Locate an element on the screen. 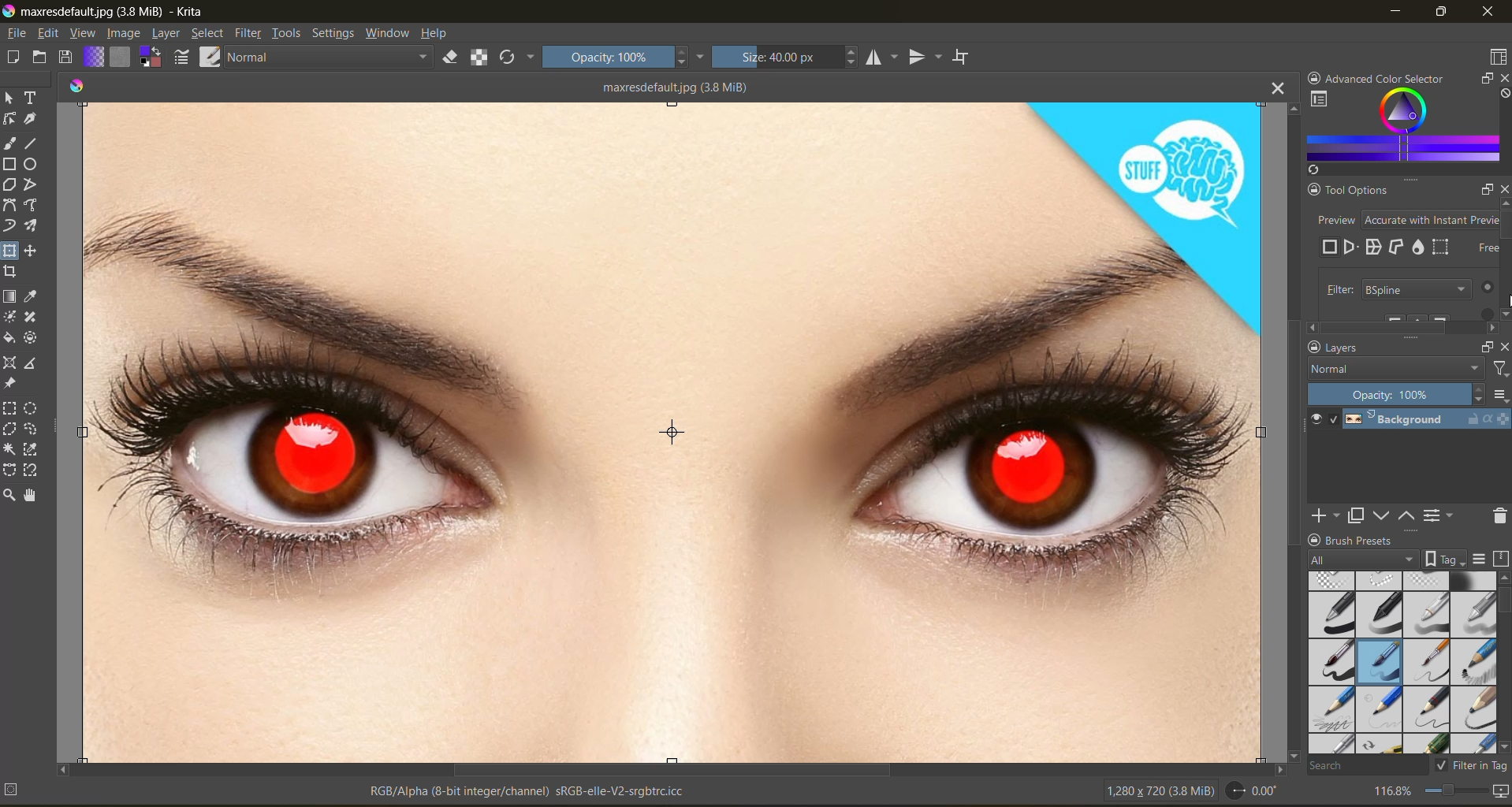 Image resolution: width=1512 pixels, height=807 pixels. preview is located at coordinates (1335, 218).